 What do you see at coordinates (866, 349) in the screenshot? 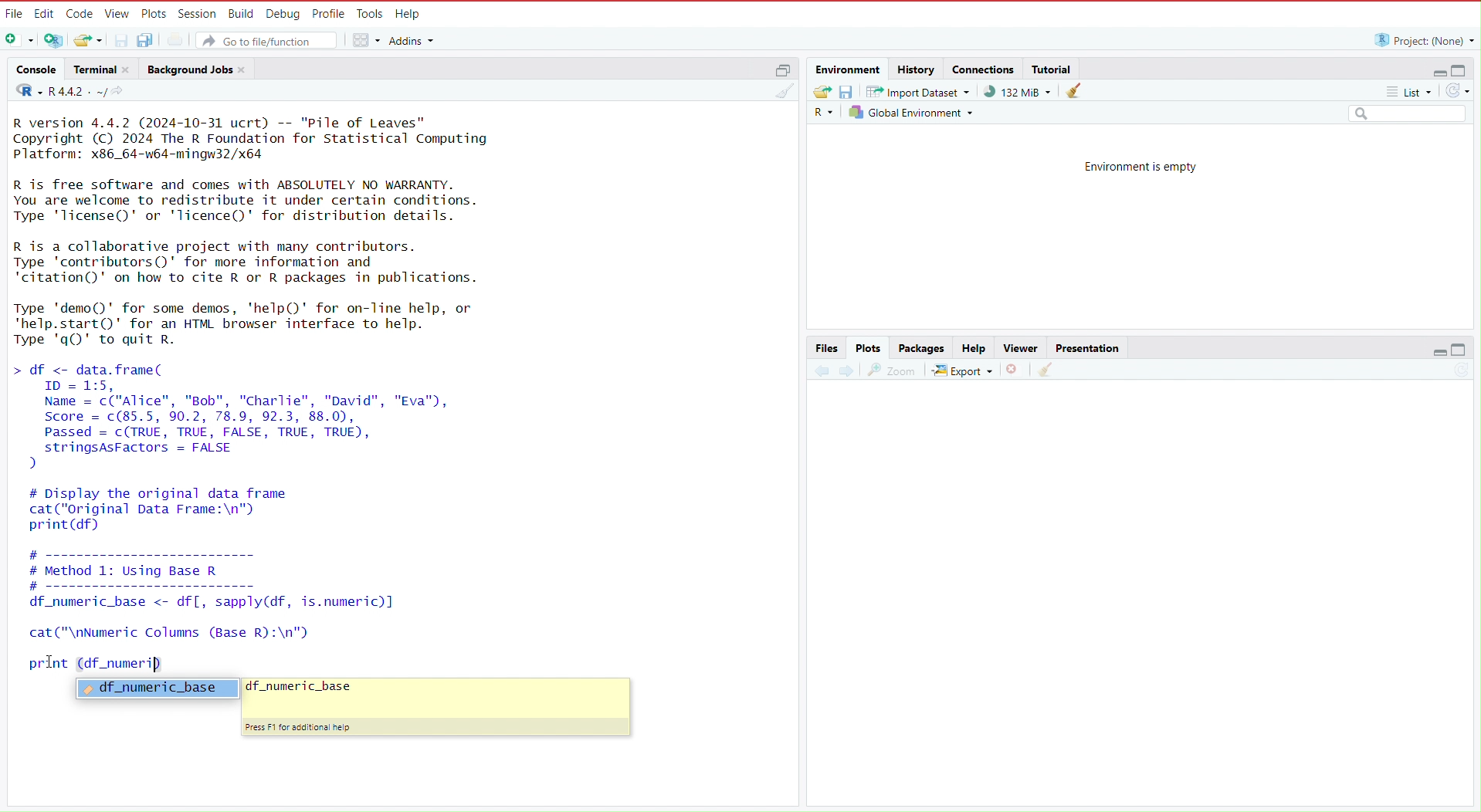
I see `Plots` at bounding box center [866, 349].